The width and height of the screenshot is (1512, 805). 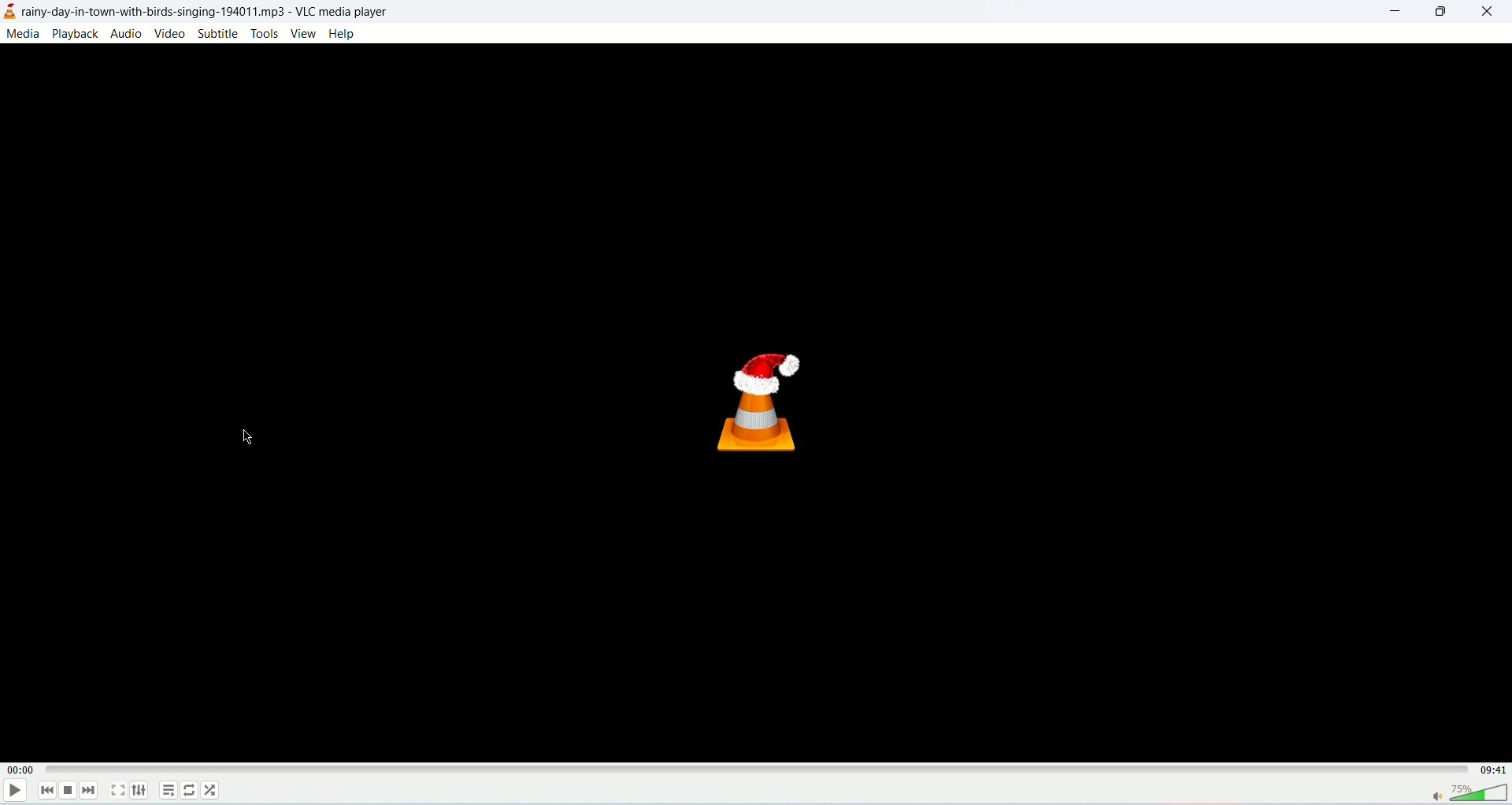 What do you see at coordinates (119, 789) in the screenshot?
I see `fullscreen` at bounding box center [119, 789].